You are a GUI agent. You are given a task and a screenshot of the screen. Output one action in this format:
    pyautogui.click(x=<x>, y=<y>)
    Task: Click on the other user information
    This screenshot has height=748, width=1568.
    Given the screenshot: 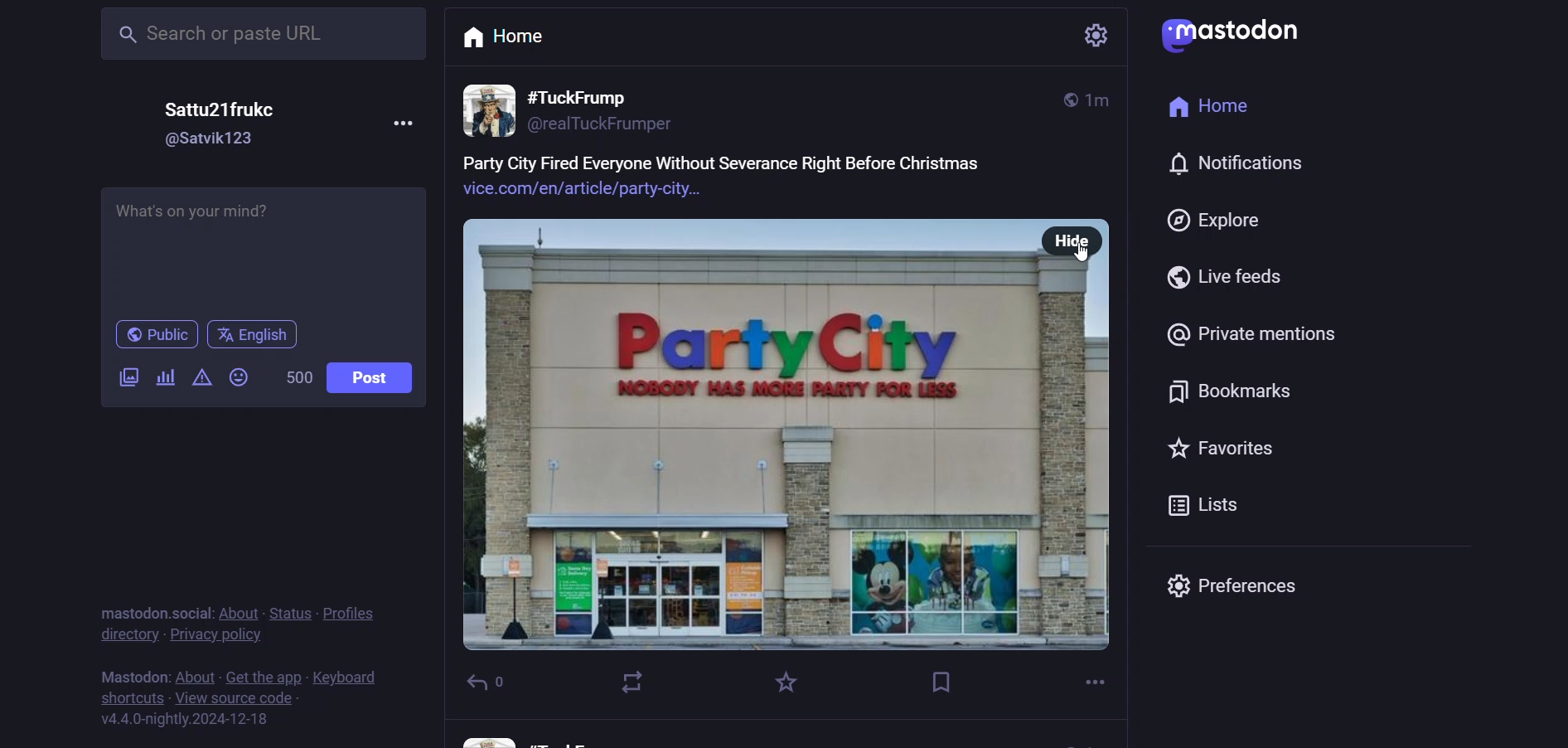 What is the action you would take?
    pyautogui.click(x=527, y=736)
    